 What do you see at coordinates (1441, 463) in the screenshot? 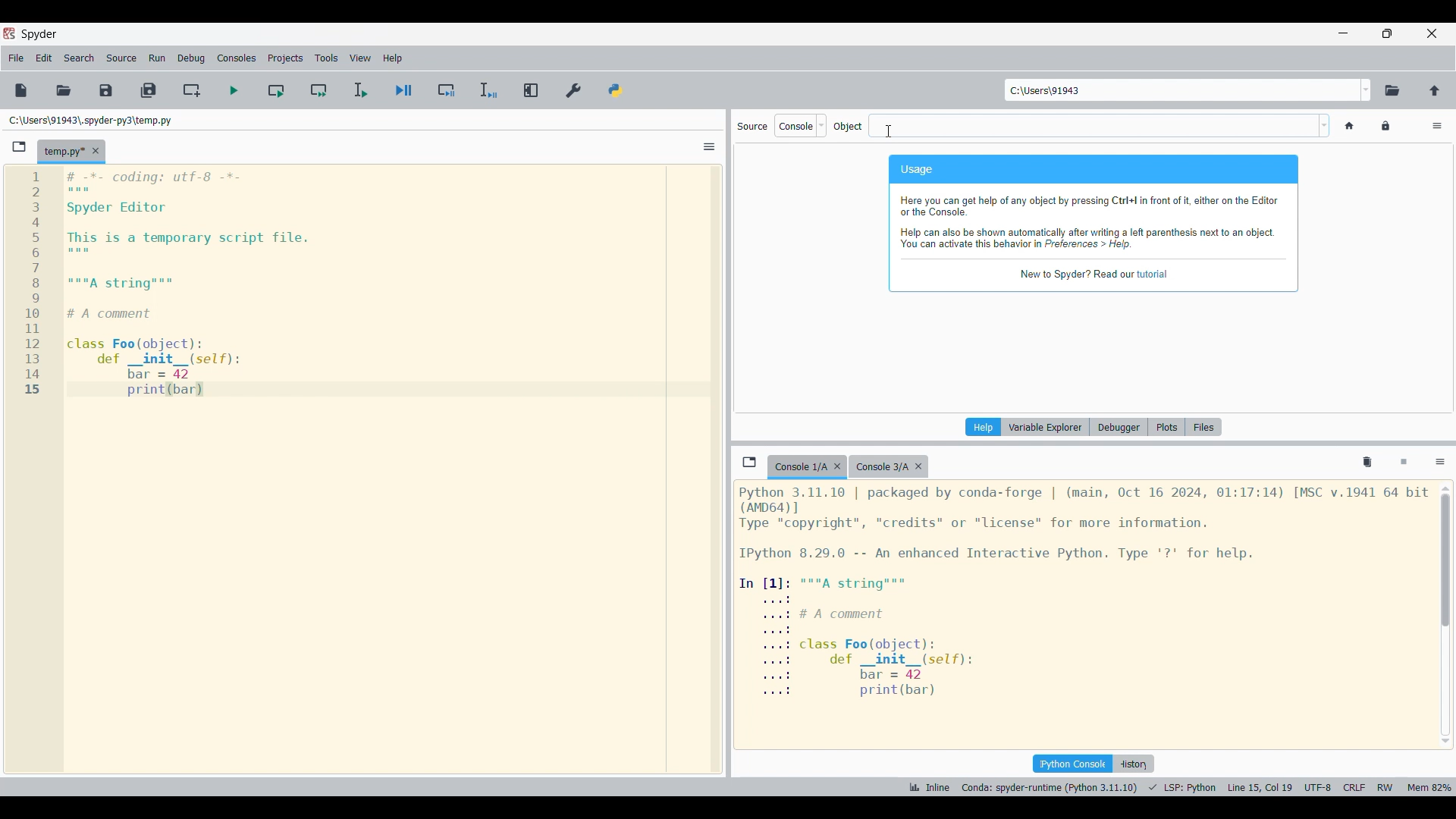
I see `Options` at bounding box center [1441, 463].